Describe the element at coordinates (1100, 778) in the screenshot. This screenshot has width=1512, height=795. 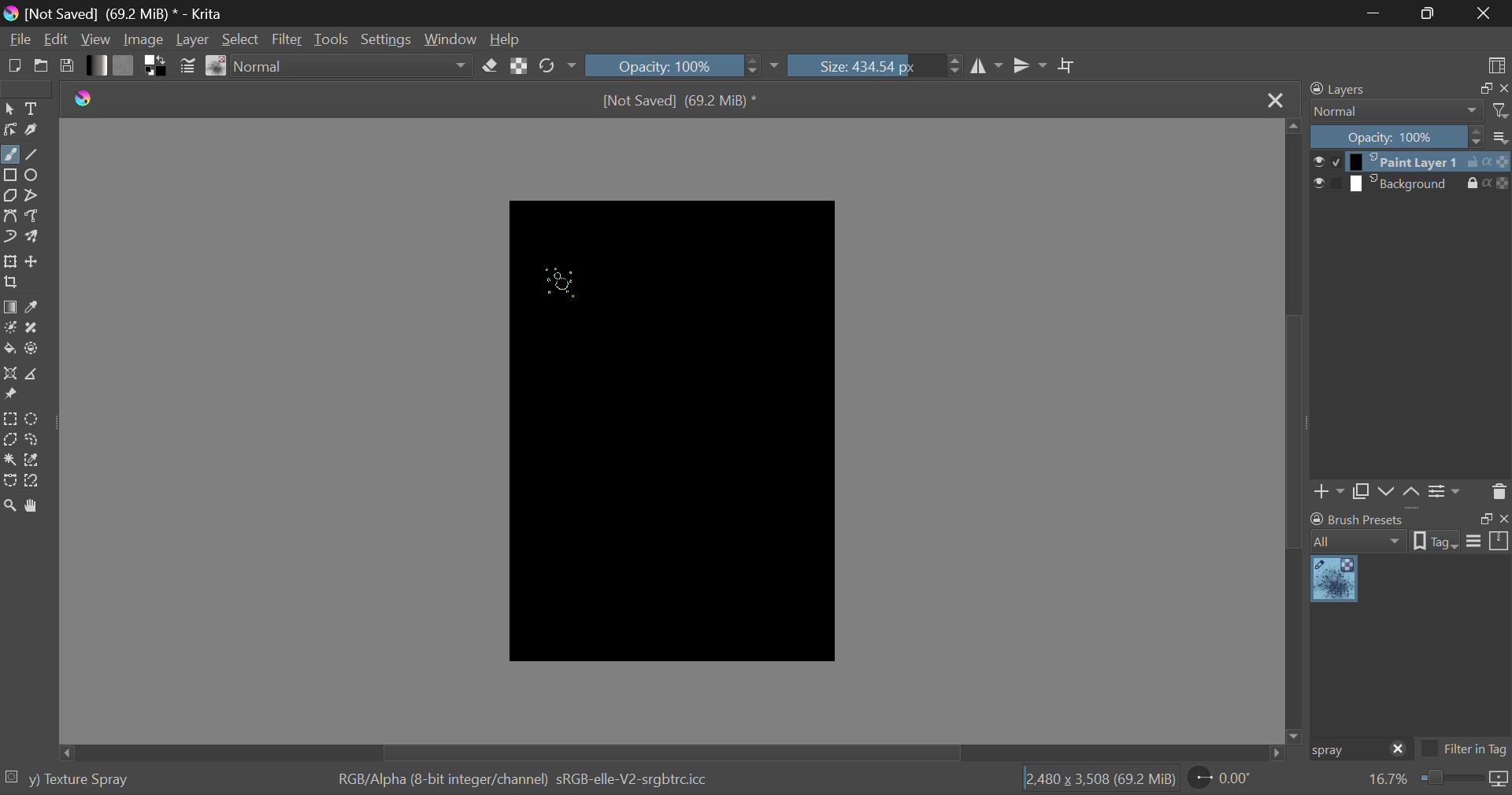
I see `12,480 x 3,508 (69.2 MiB)` at that location.